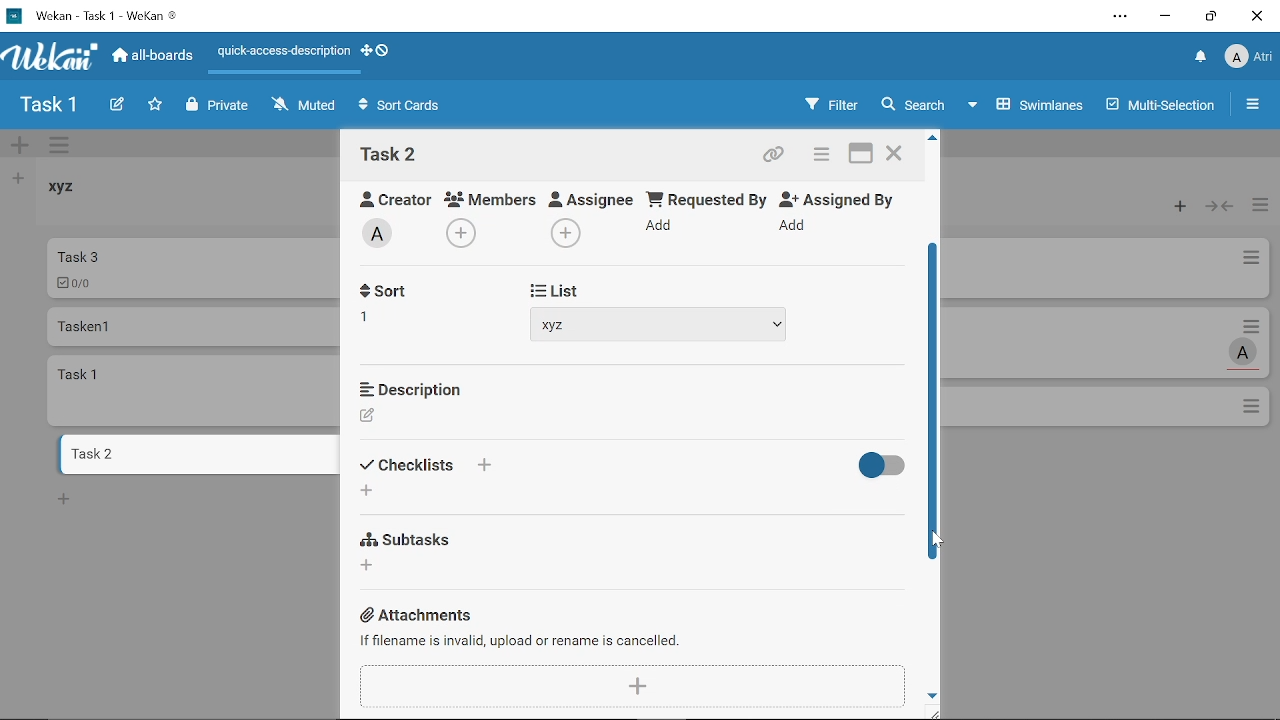  What do you see at coordinates (369, 565) in the screenshot?
I see `Add substacks` at bounding box center [369, 565].